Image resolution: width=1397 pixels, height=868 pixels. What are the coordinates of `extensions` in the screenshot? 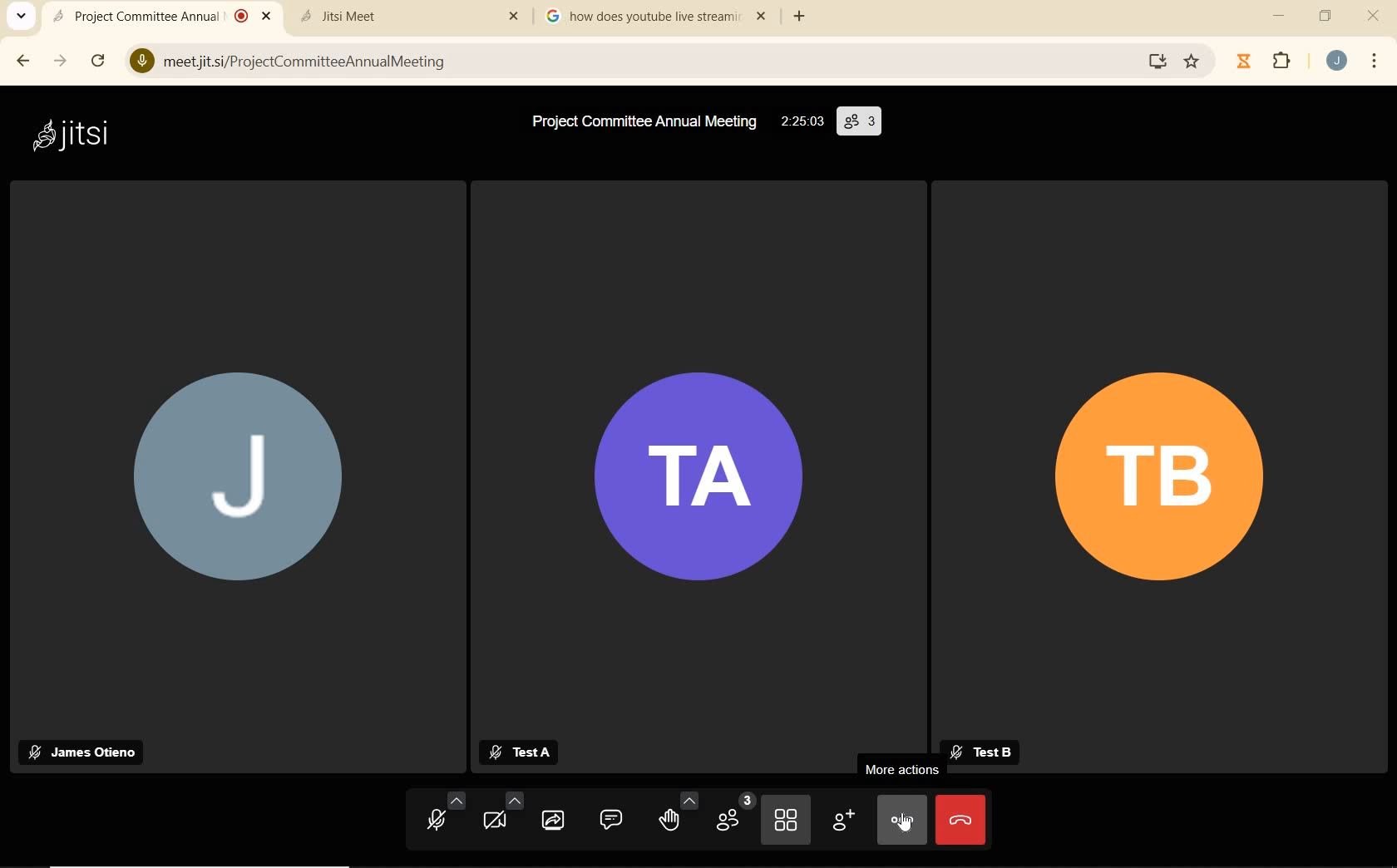 It's located at (1286, 63).